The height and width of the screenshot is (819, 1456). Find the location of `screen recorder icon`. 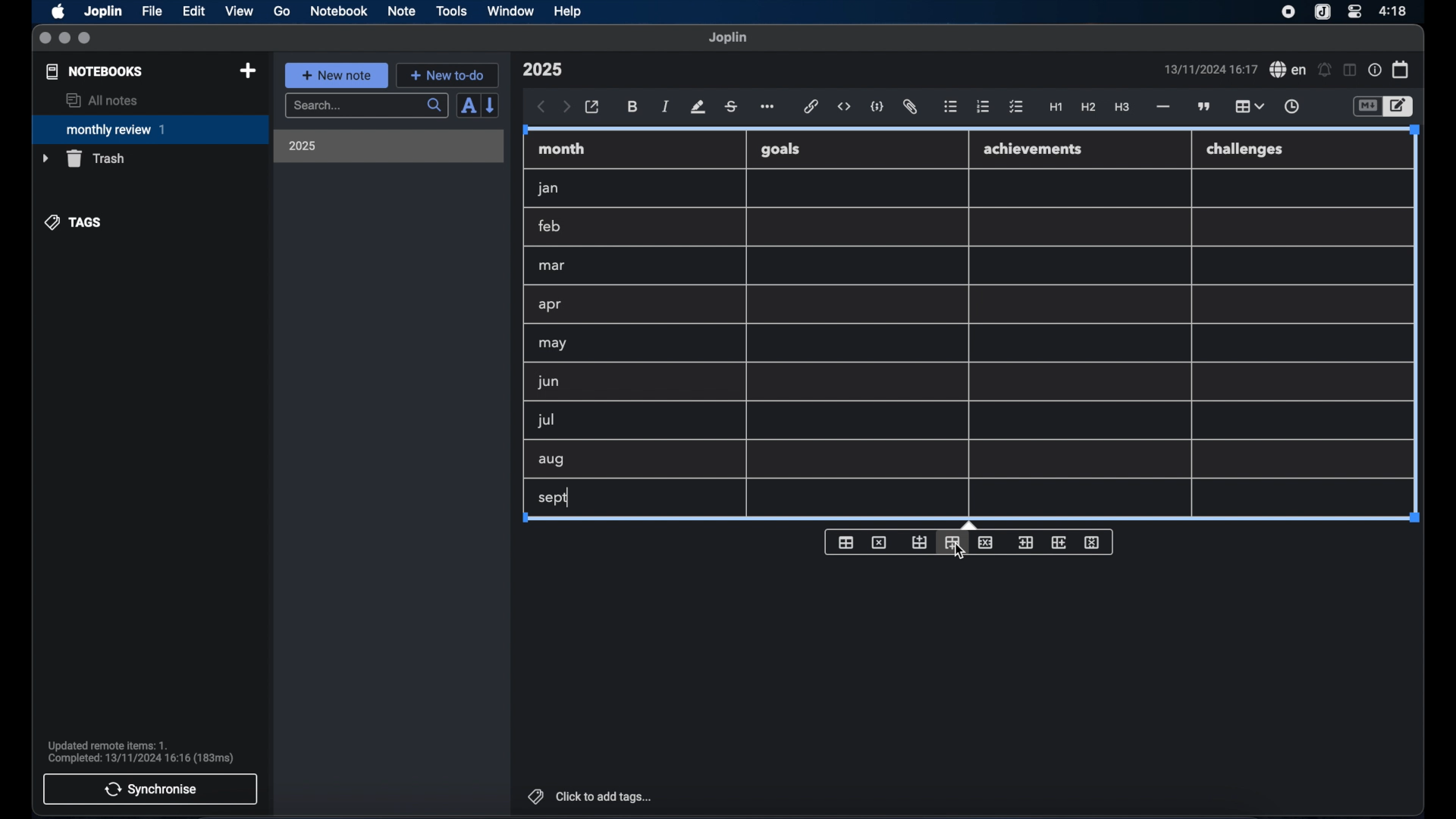

screen recorder icon is located at coordinates (1288, 12).